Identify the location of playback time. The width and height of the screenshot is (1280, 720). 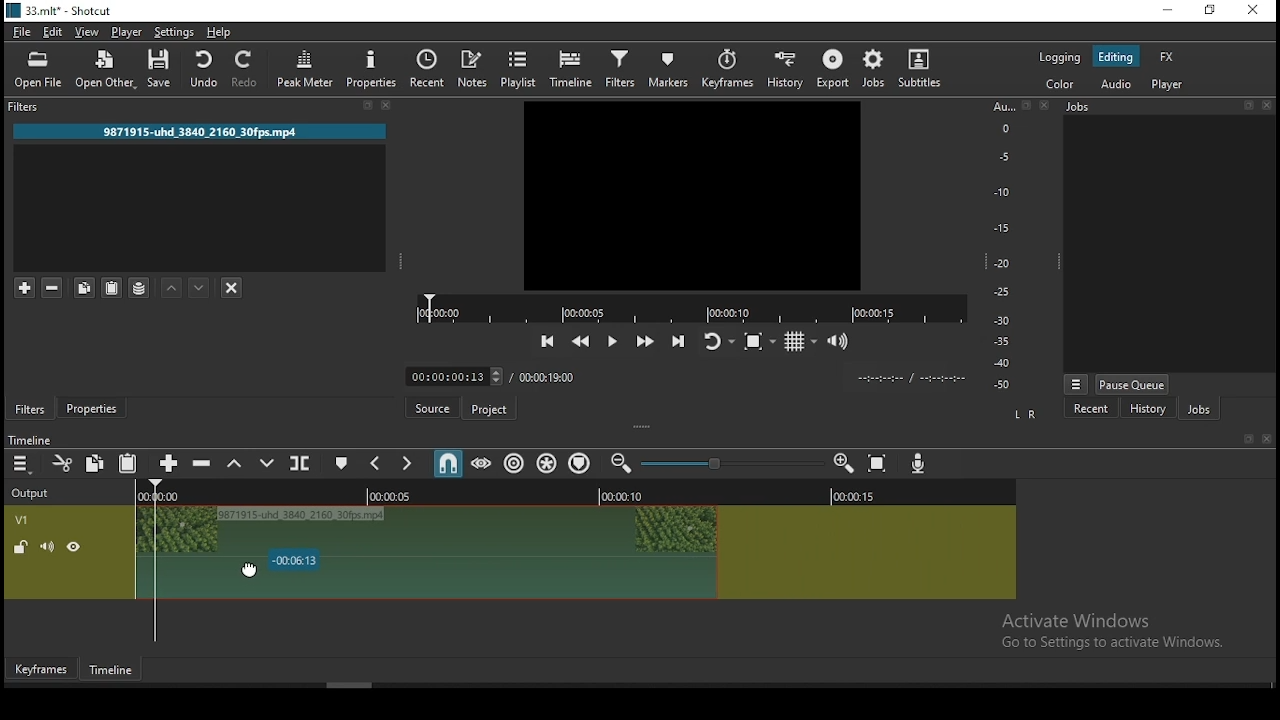
(686, 307).